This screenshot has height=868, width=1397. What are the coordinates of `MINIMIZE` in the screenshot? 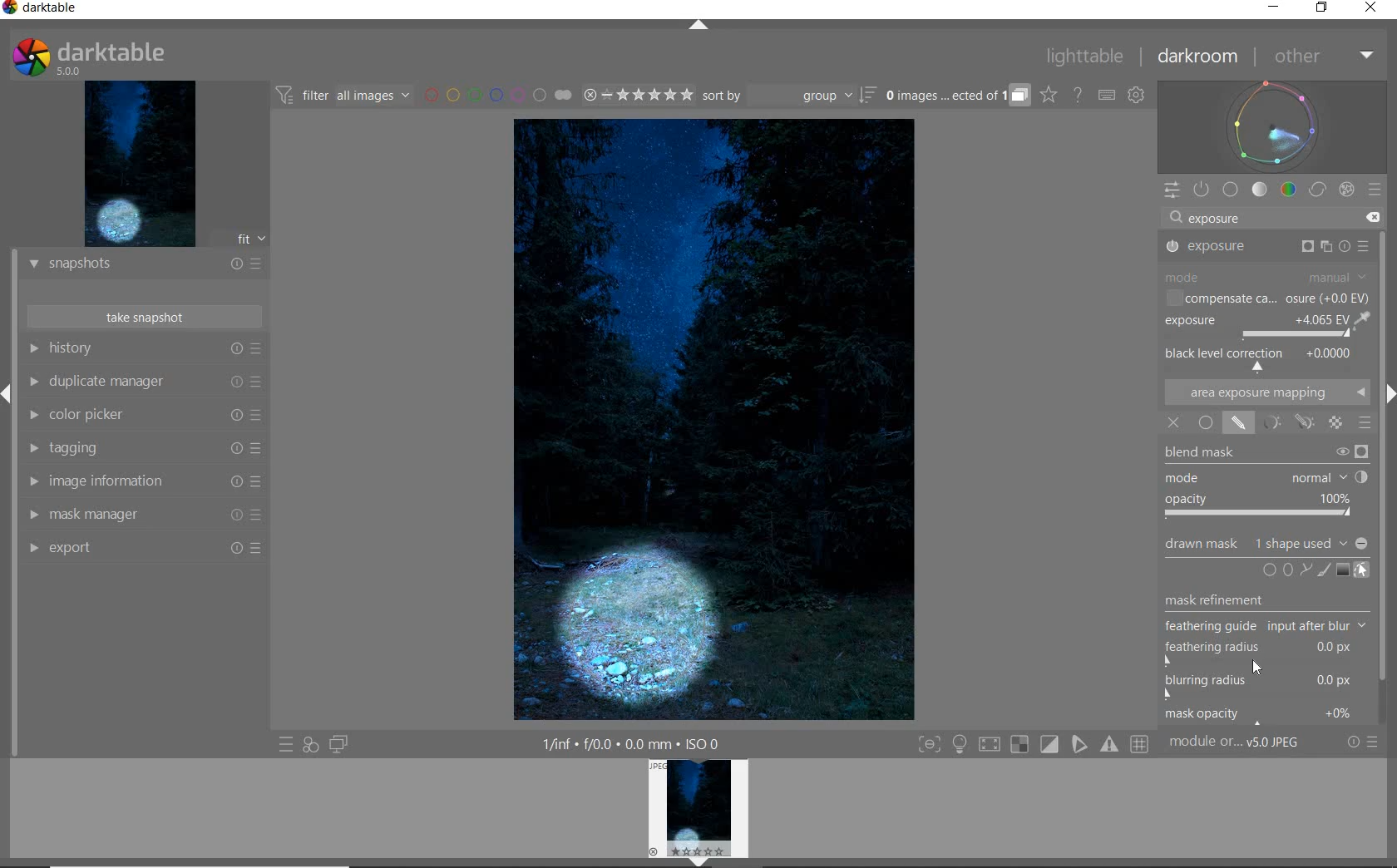 It's located at (1275, 7).